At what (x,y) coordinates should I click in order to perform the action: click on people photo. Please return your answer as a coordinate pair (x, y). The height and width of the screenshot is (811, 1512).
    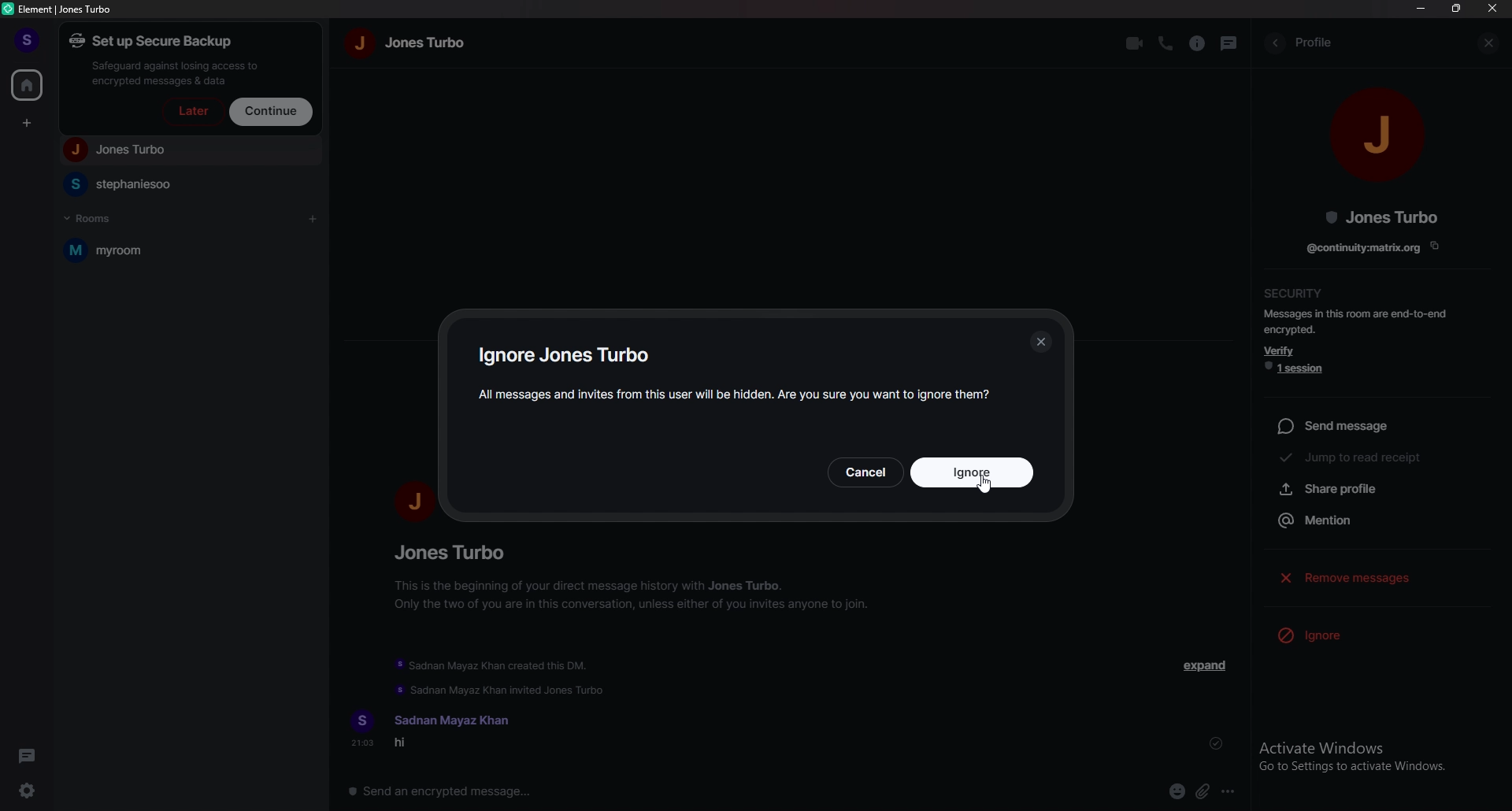
    Looking at the image, I should click on (412, 501).